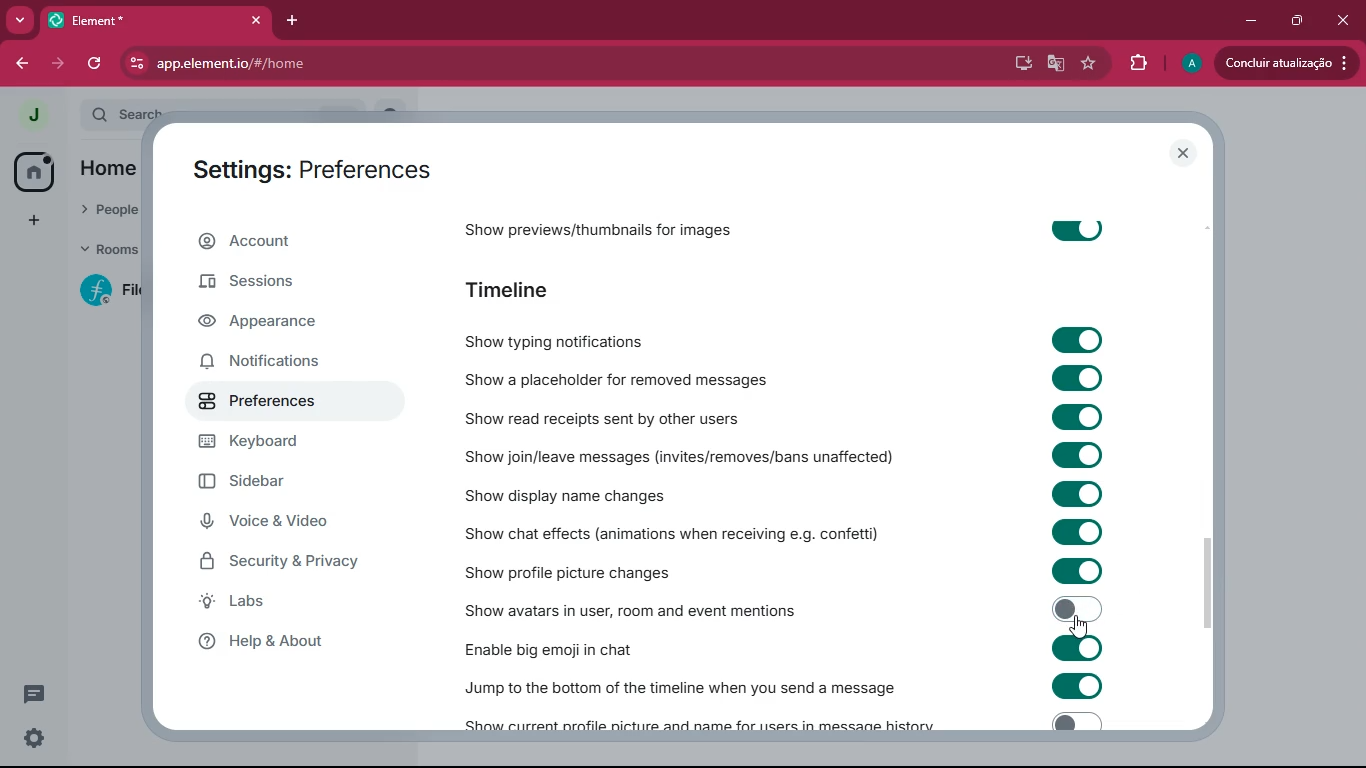 This screenshot has height=768, width=1366. Describe the element at coordinates (610, 416) in the screenshot. I see `show read receipts sent by other users` at that location.